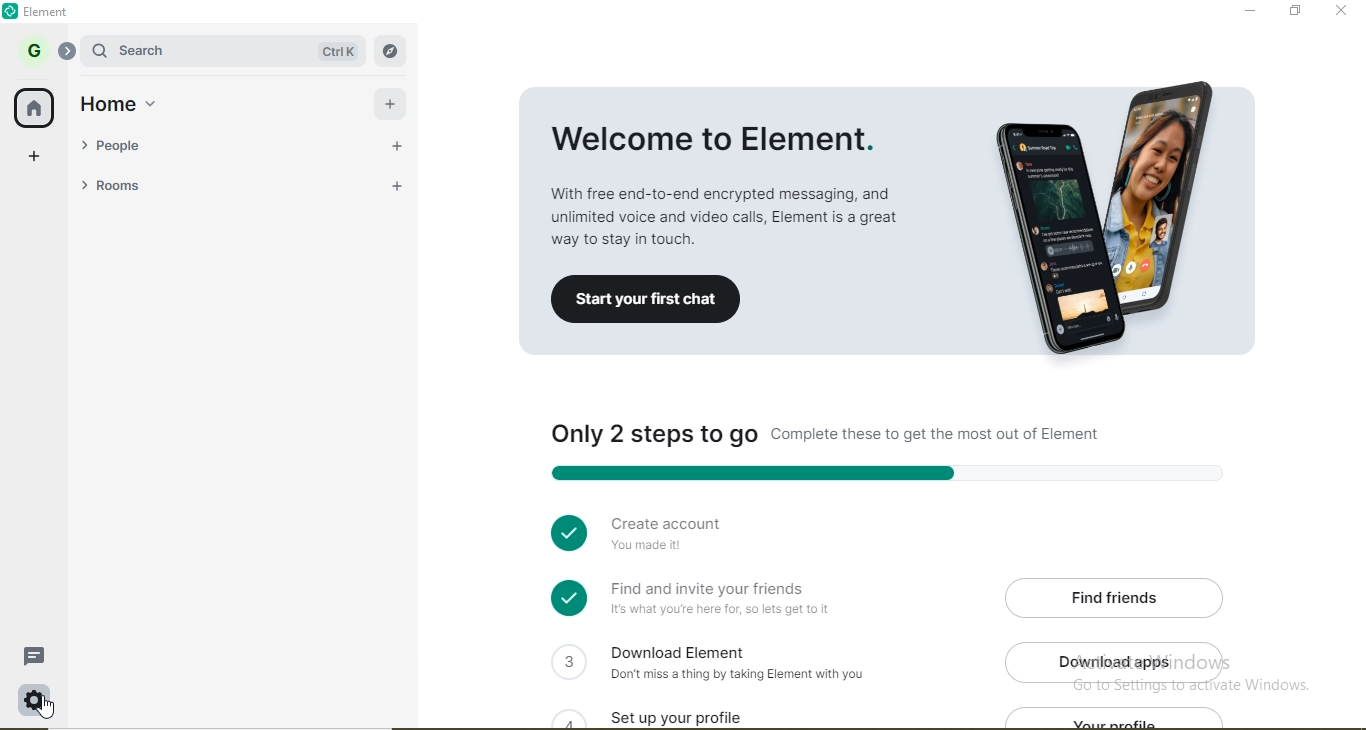 The height and width of the screenshot is (730, 1366). Describe the element at coordinates (727, 599) in the screenshot. I see `Find and invite your friends` at that location.